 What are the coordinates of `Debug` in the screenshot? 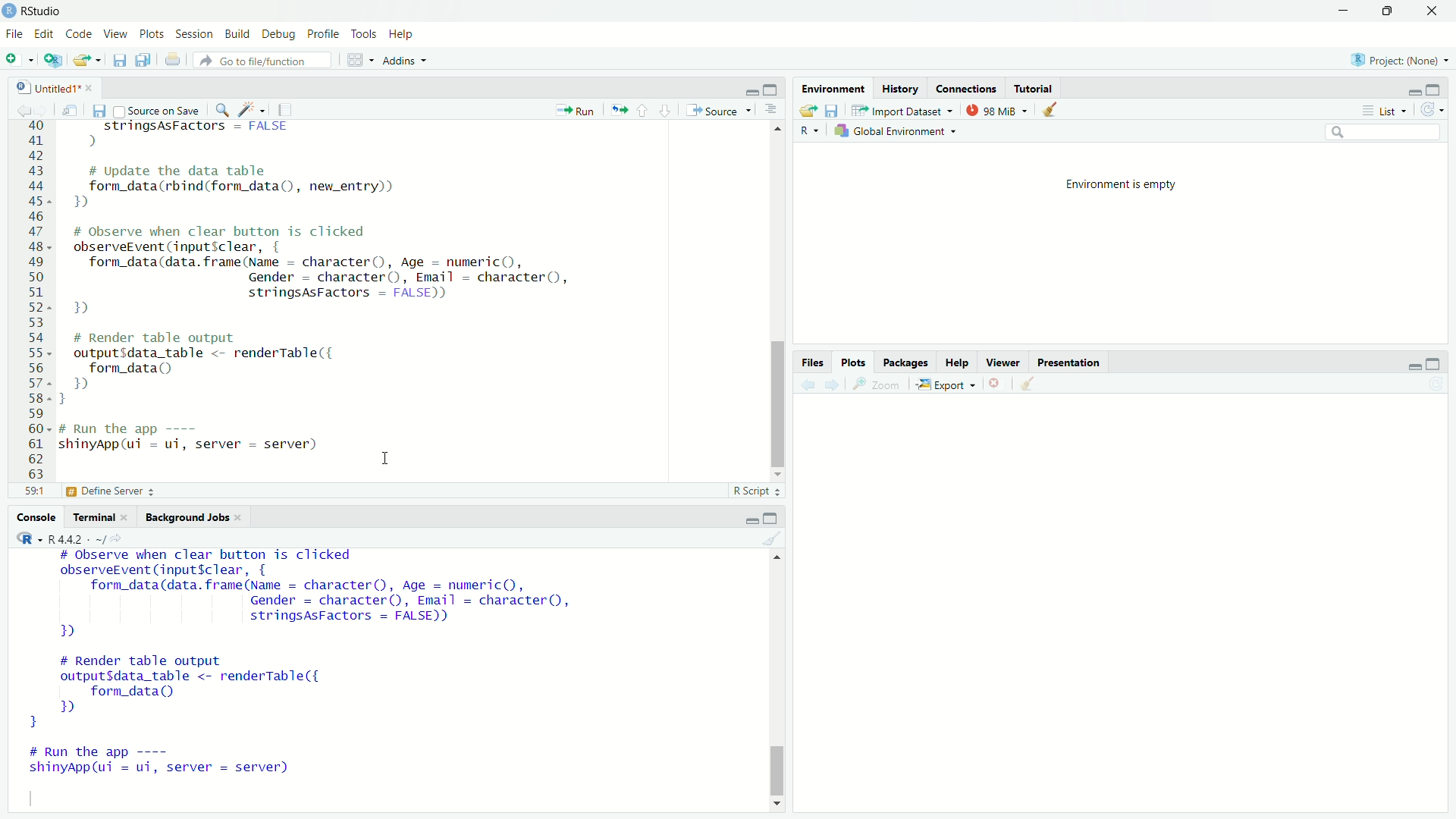 It's located at (279, 34).